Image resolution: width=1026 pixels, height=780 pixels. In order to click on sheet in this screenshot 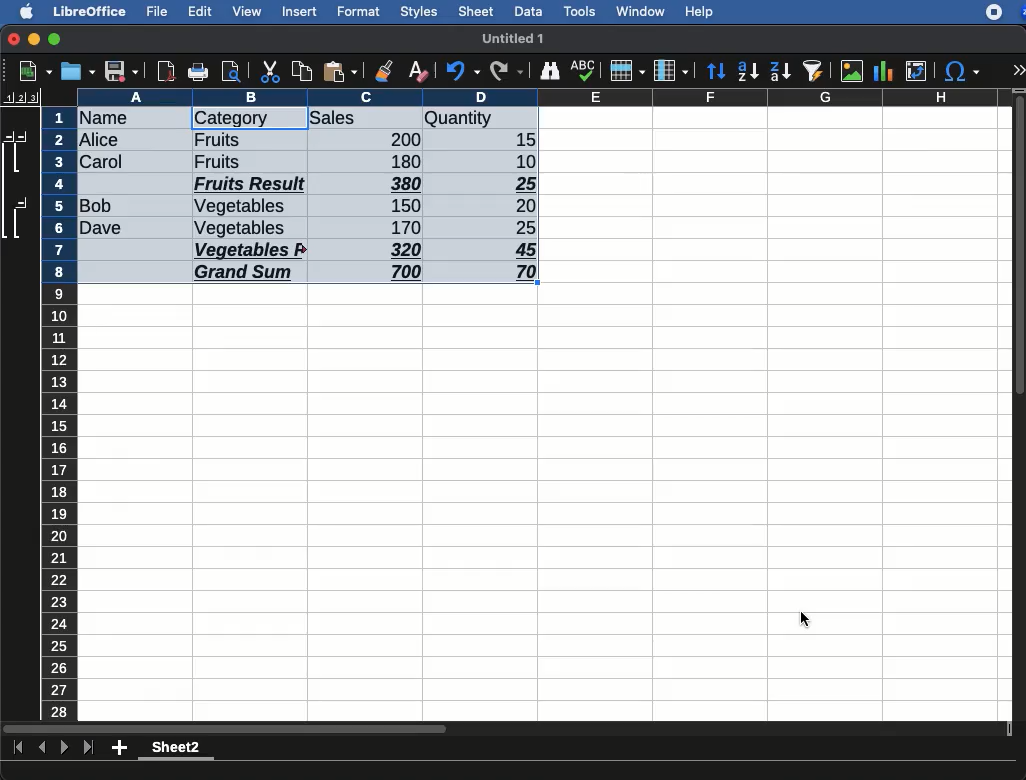, I will do `click(477, 11)`.